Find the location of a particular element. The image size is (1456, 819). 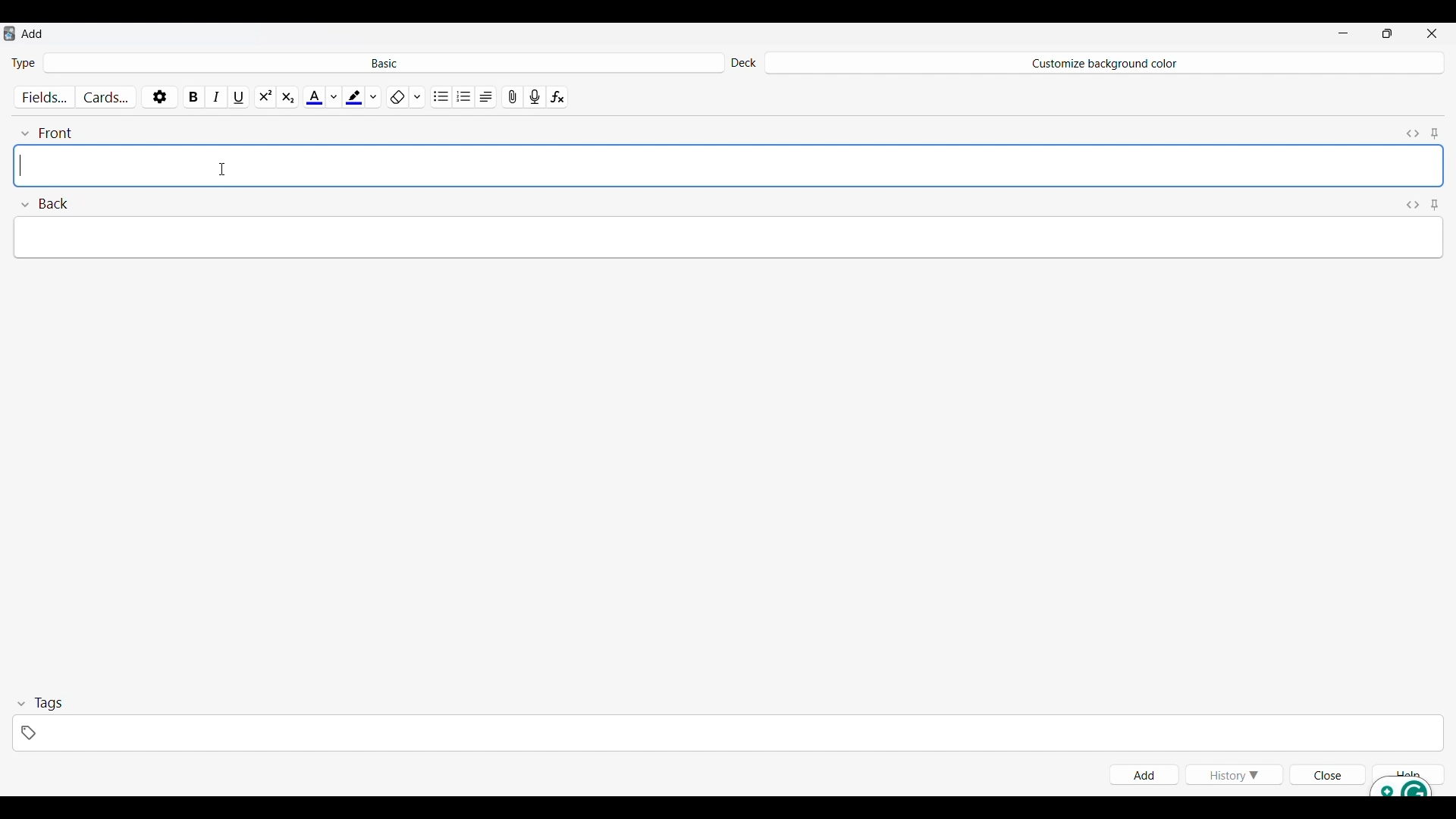

Toggle HTML editor is located at coordinates (1414, 131).